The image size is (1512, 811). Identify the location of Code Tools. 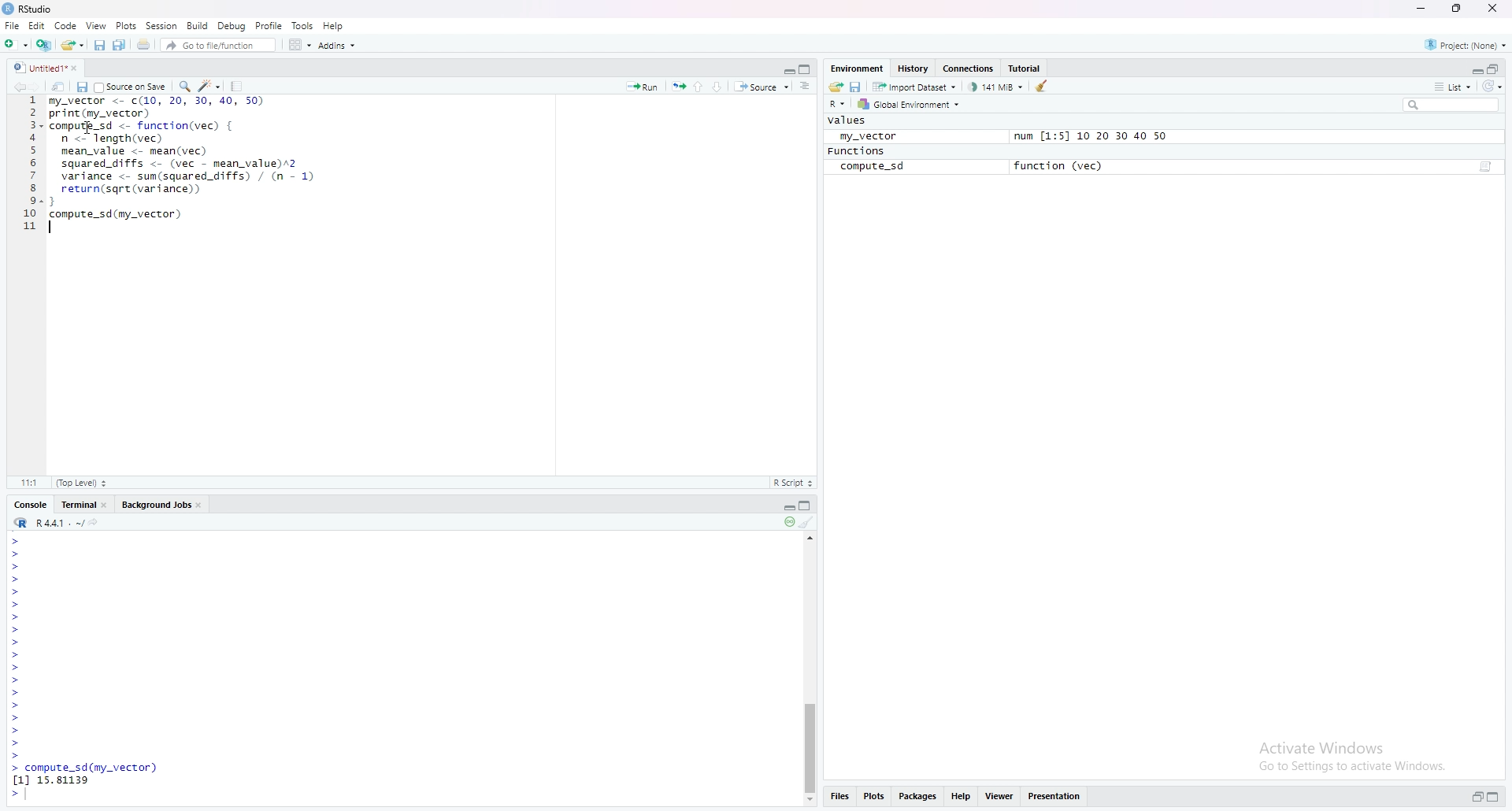
(210, 85).